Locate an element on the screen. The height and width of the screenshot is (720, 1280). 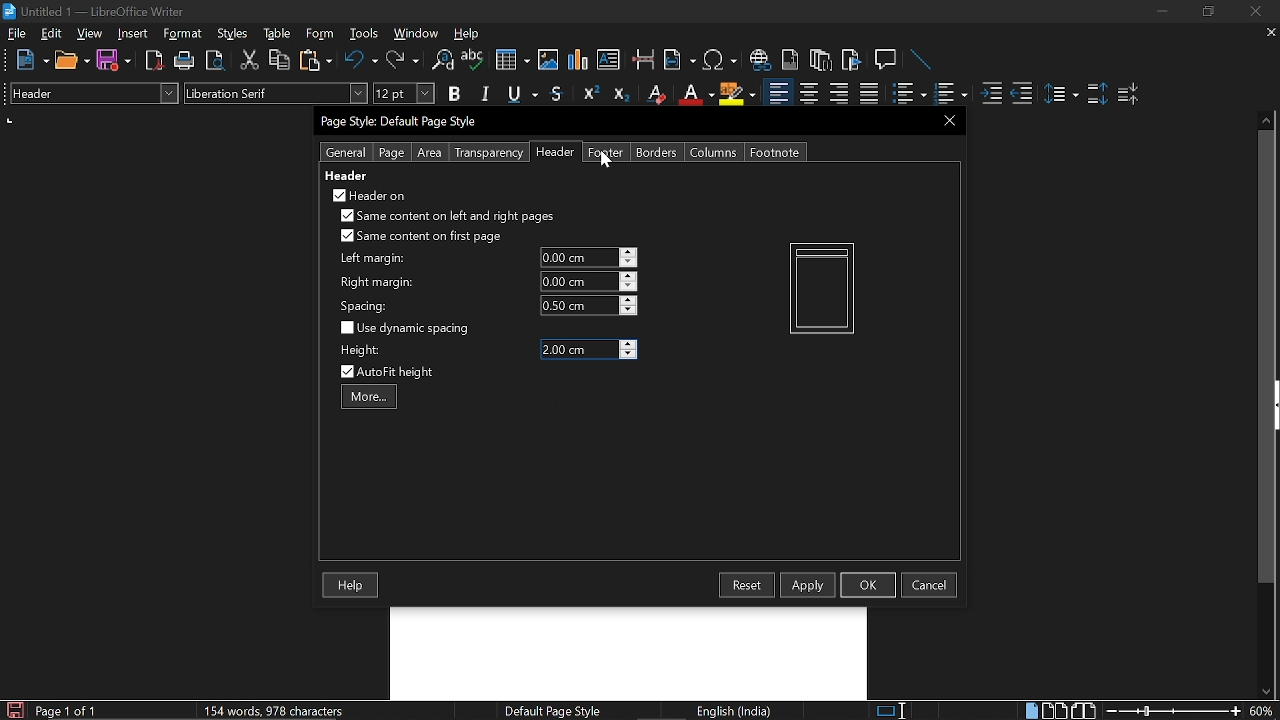
Increase height hey Cortana is located at coordinates (629, 344).